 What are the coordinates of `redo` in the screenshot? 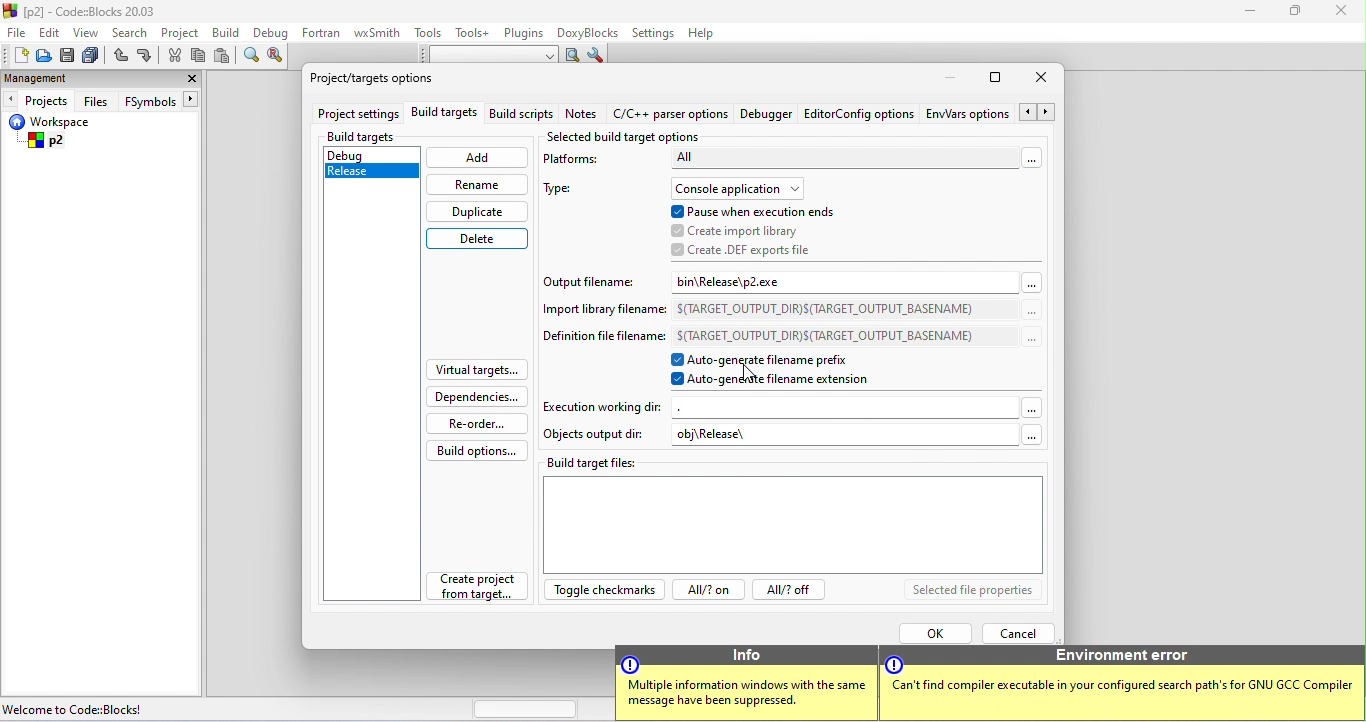 It's located at (146, 57).